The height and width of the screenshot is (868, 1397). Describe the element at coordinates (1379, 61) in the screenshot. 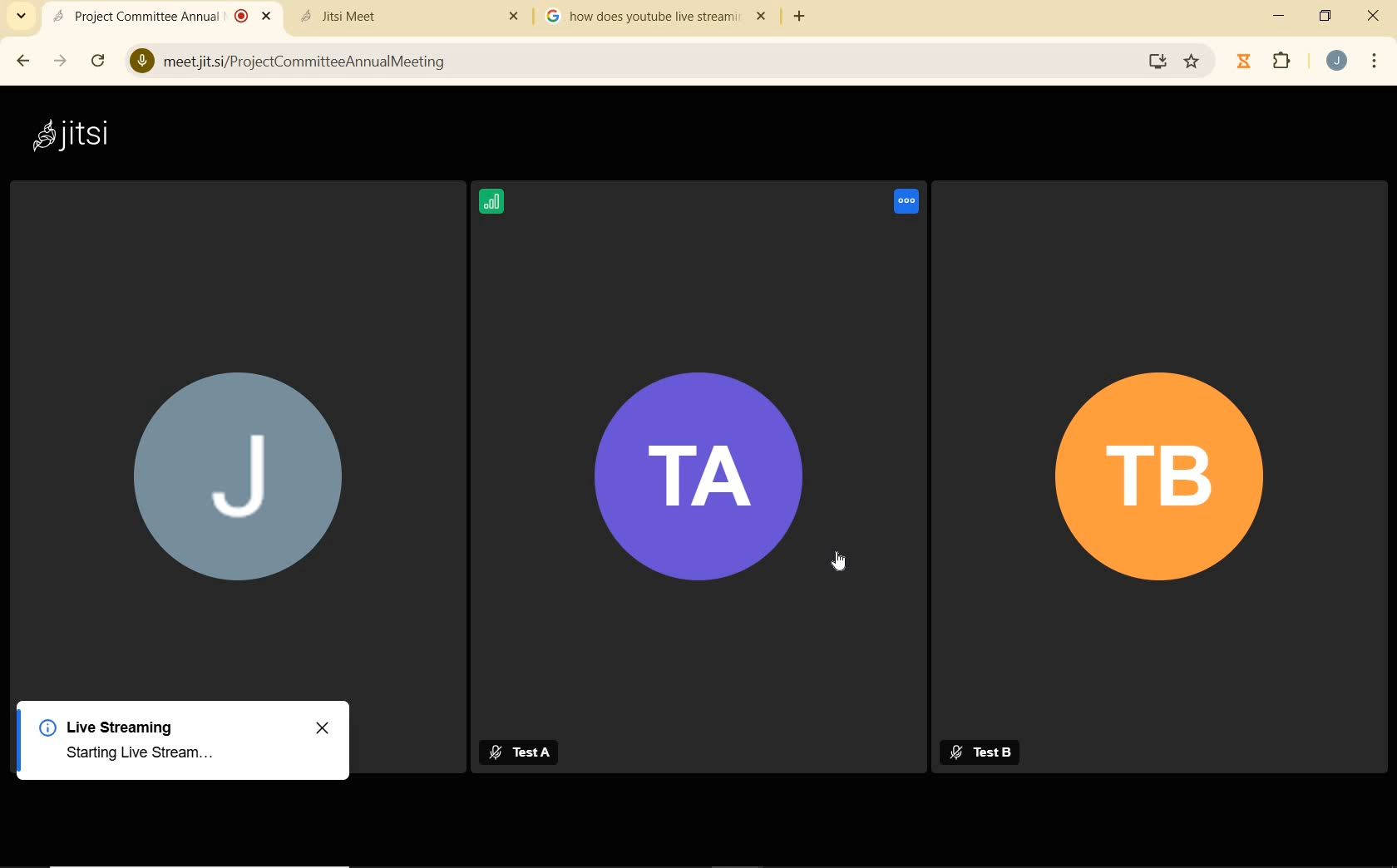

I see `customize google chrome` at that location.